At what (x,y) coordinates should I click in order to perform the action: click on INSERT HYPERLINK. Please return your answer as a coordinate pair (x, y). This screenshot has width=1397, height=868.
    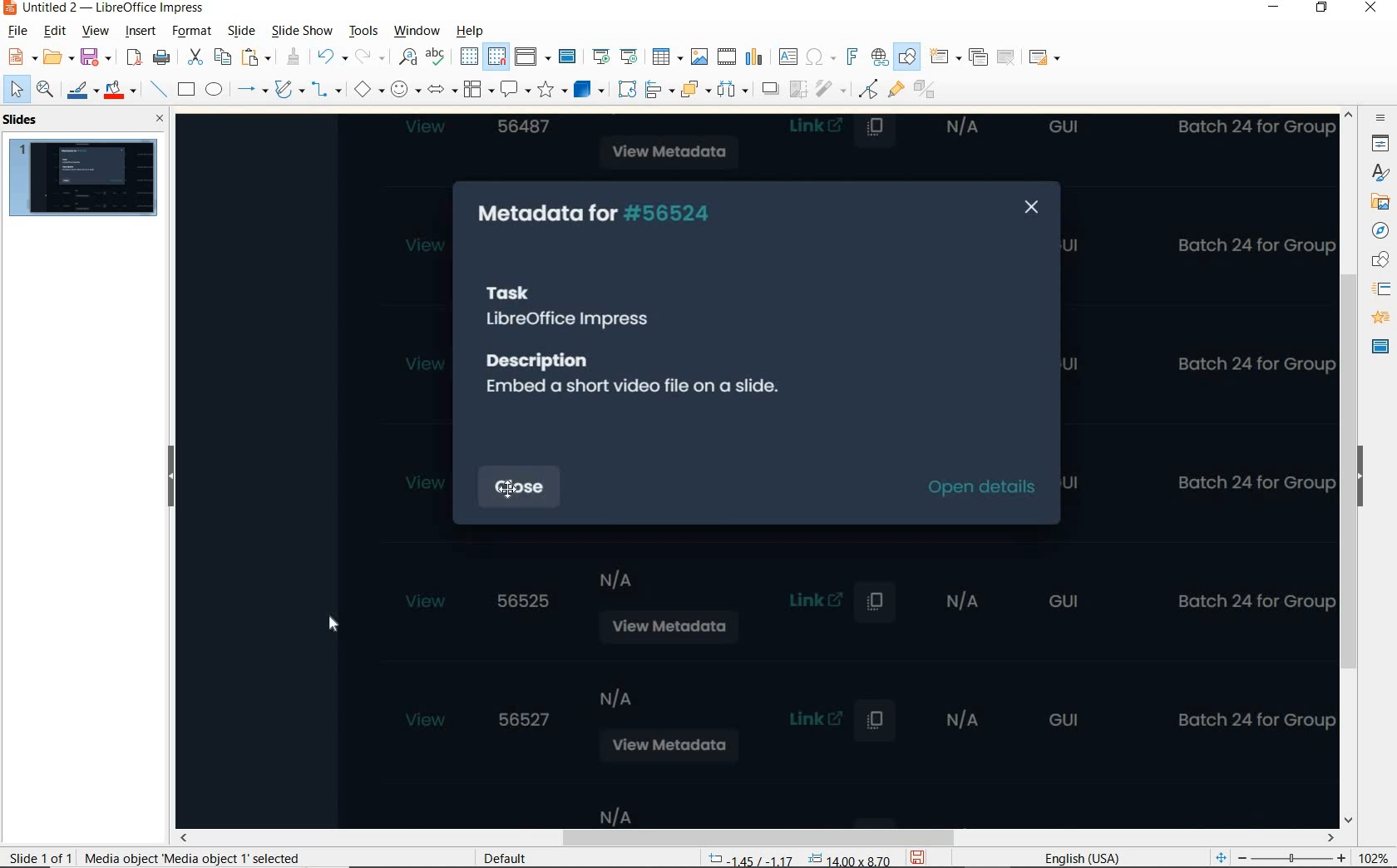
    Looking at the image, I should click on (880, 58).